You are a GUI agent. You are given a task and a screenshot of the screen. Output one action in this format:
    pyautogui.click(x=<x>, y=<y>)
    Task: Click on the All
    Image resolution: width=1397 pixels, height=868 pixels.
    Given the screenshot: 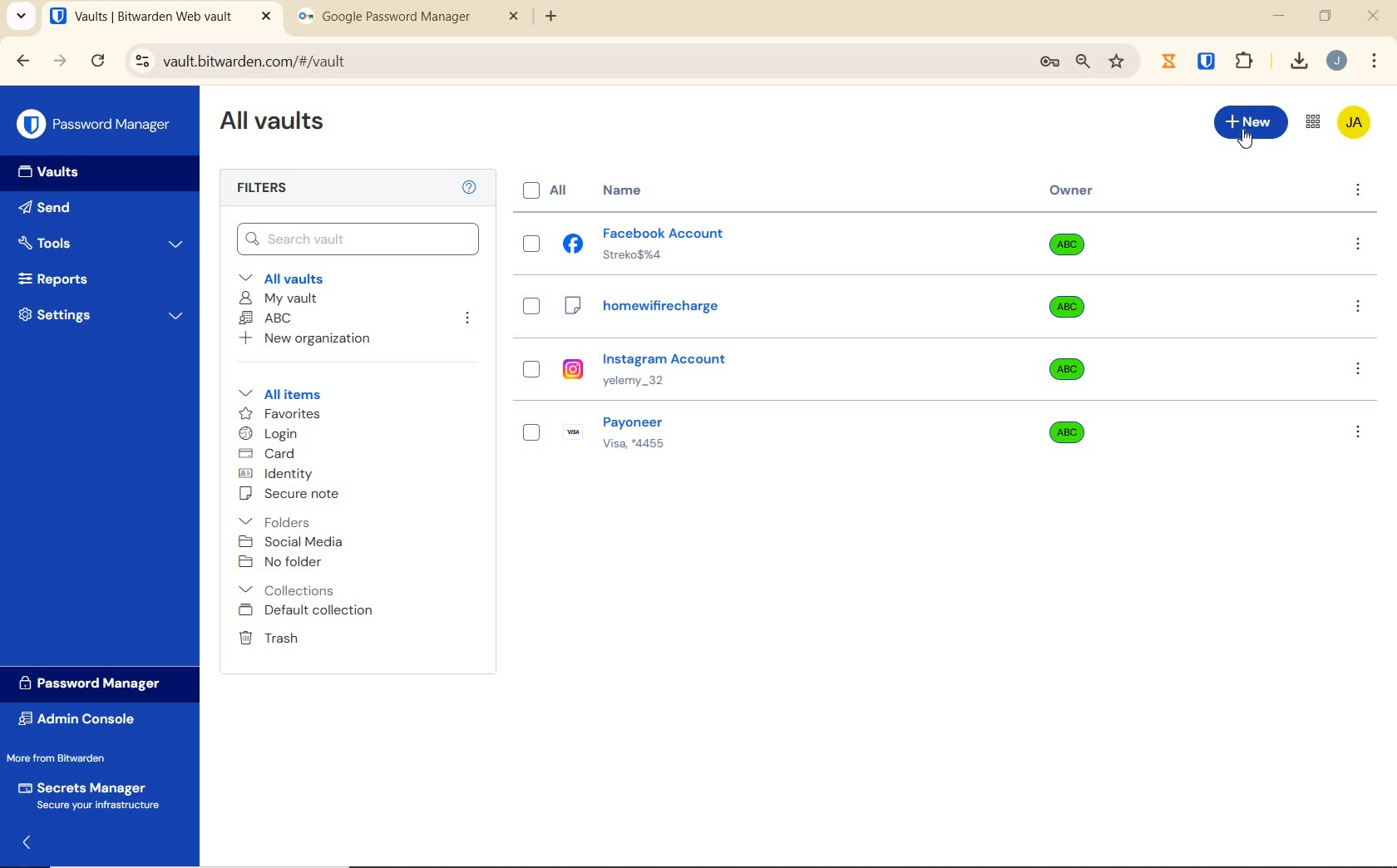 What is the action you would take?
    pyautogui.click(x=538, y=191)
    